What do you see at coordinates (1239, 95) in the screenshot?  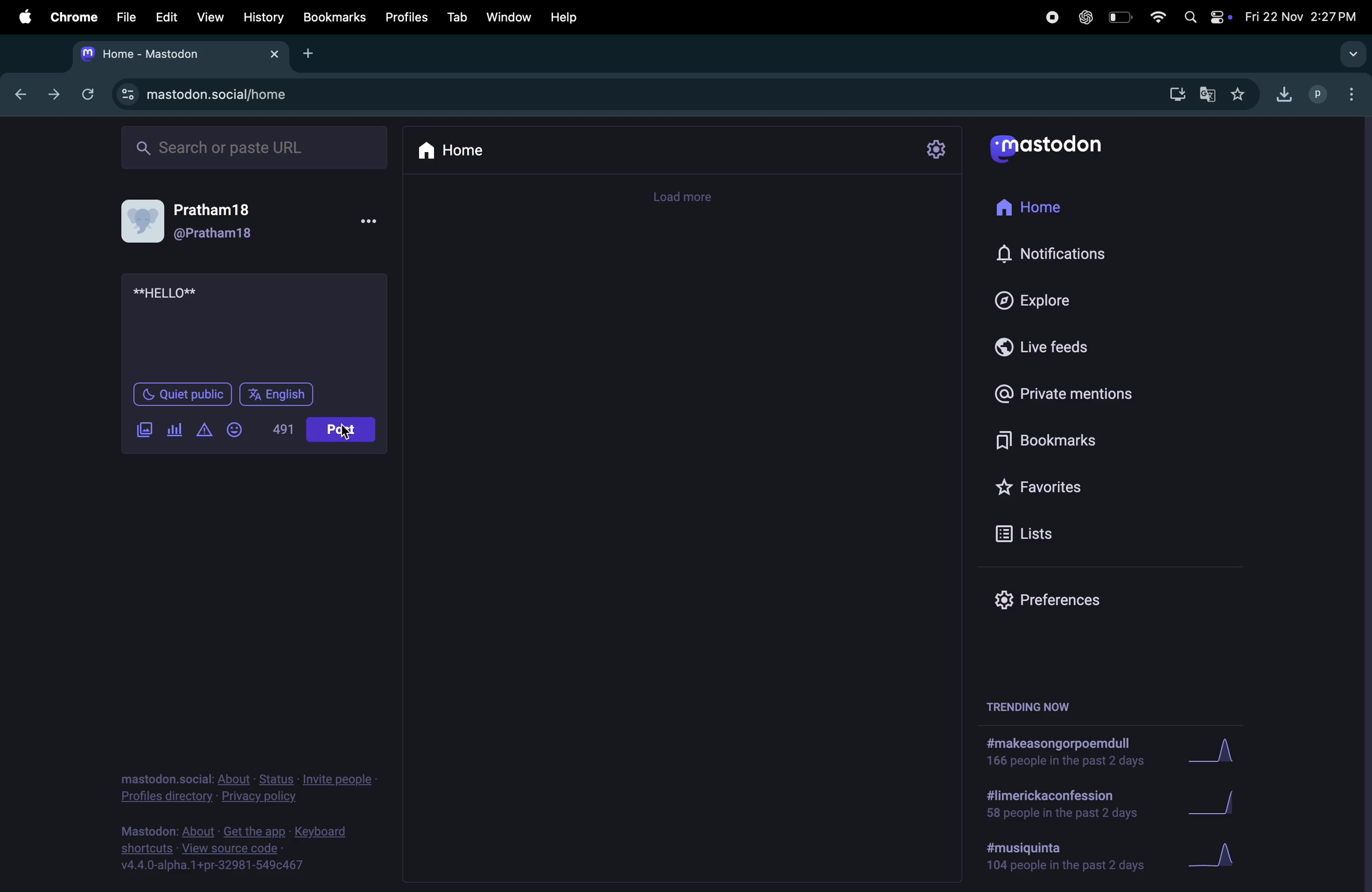 I see `favourites` at bounding box center [1239, 95].